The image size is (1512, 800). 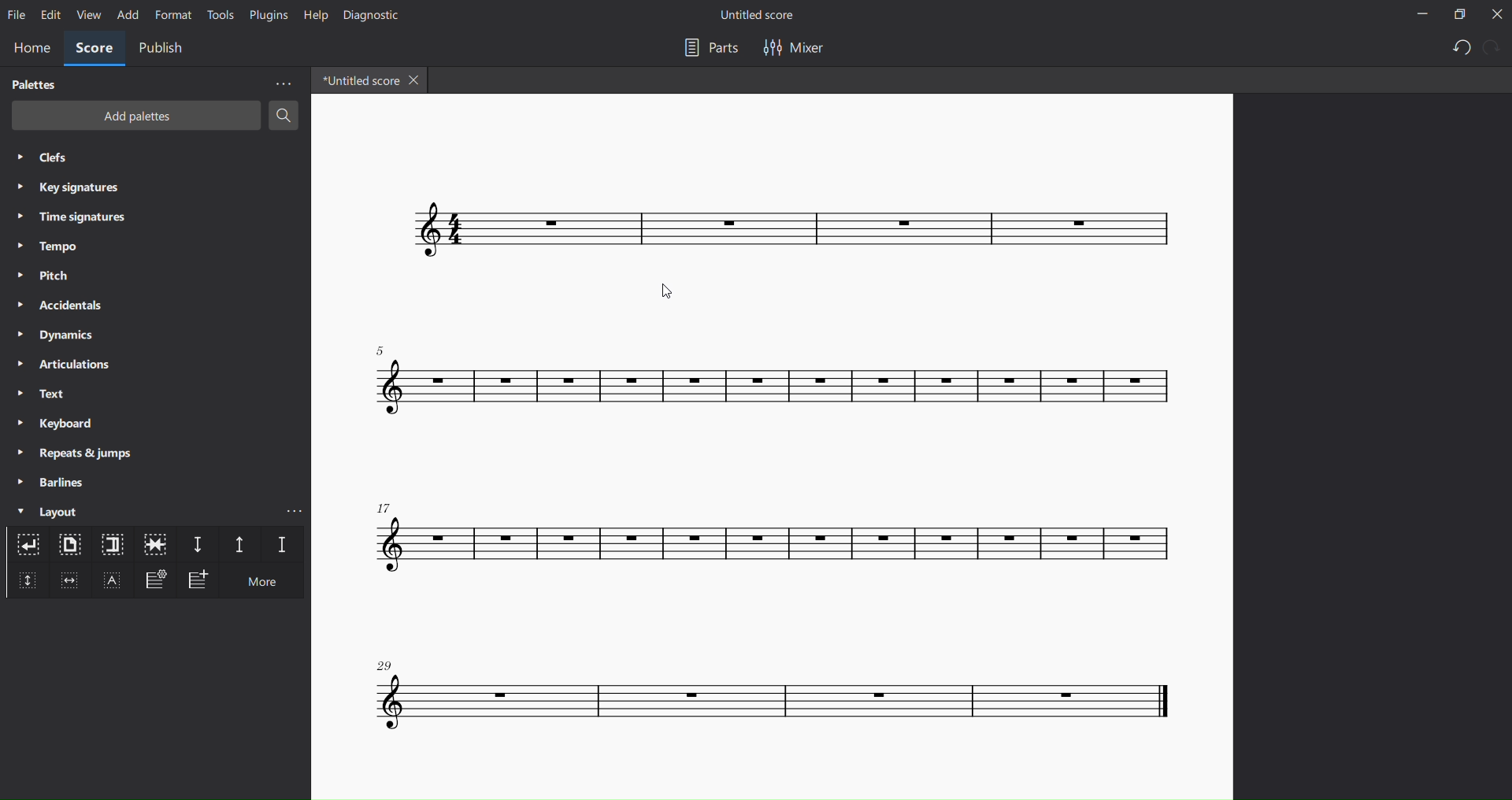 I want to click on text frame, so click(x=114, y=583).